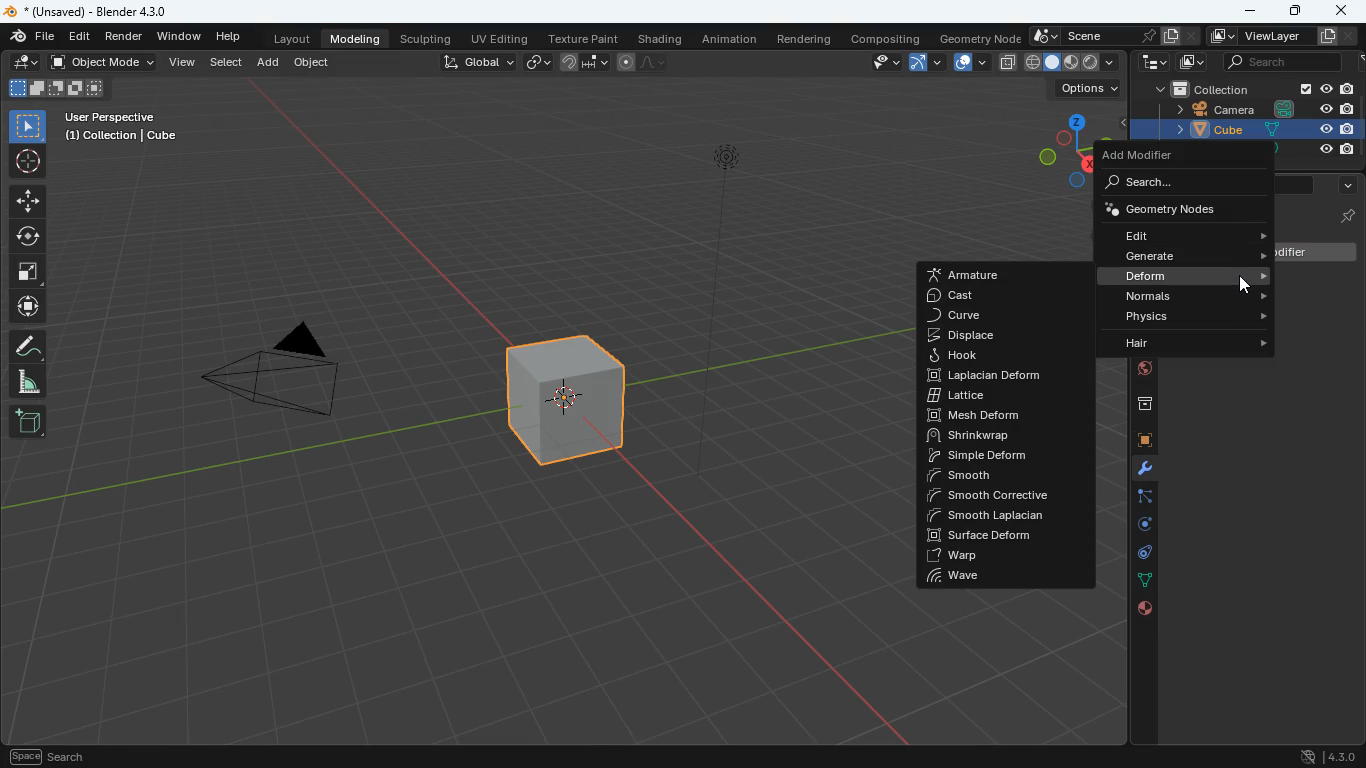 The width and height of the screenshot is (1366, 768). Describe the element at coordinates (1287, 61) in the screenshot. I see `seaarch` at that location.